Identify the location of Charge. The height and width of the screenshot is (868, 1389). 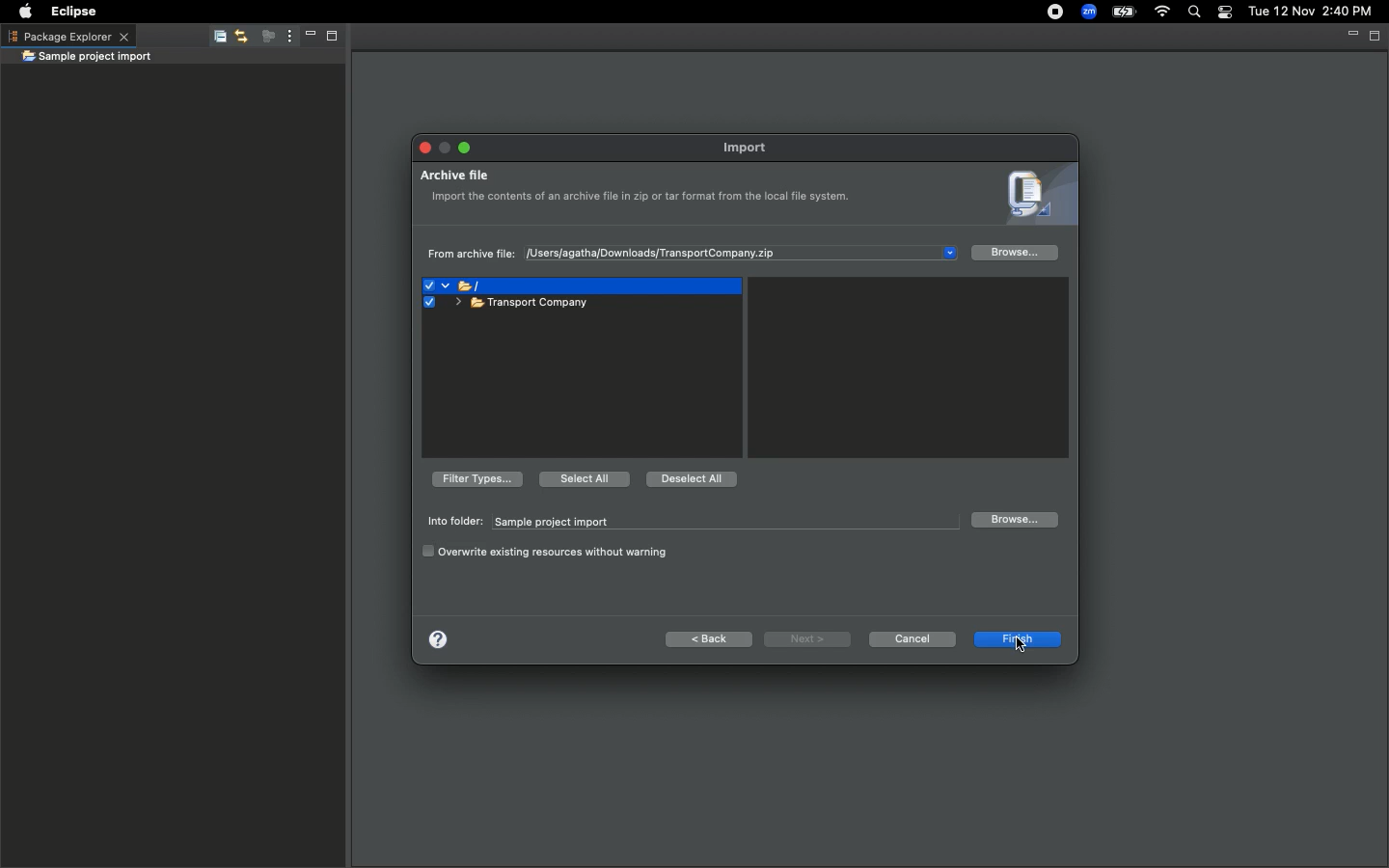
(1126, 12).